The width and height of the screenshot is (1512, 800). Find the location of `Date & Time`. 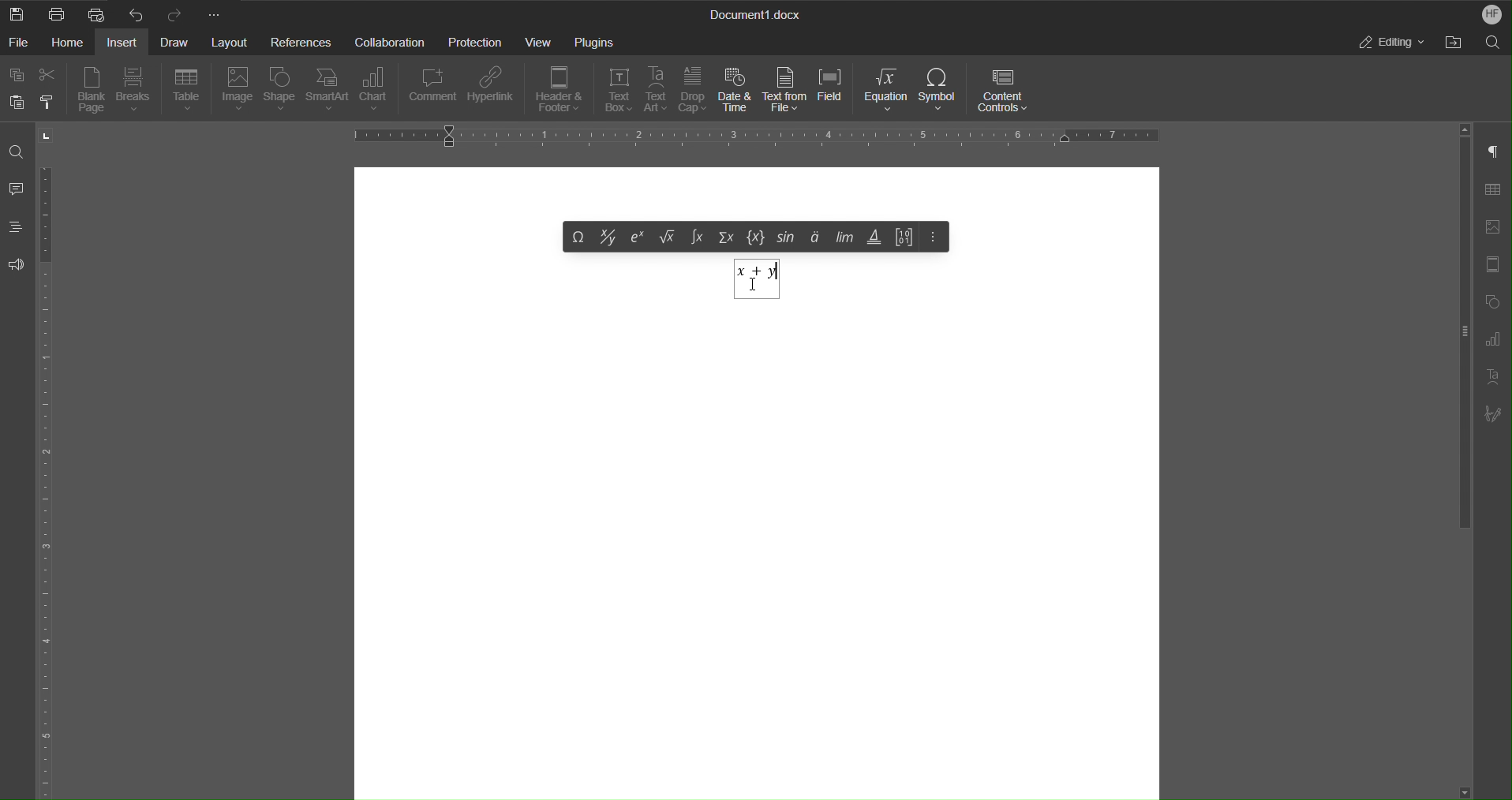

Date & Time is located at coordinates (738, 91).